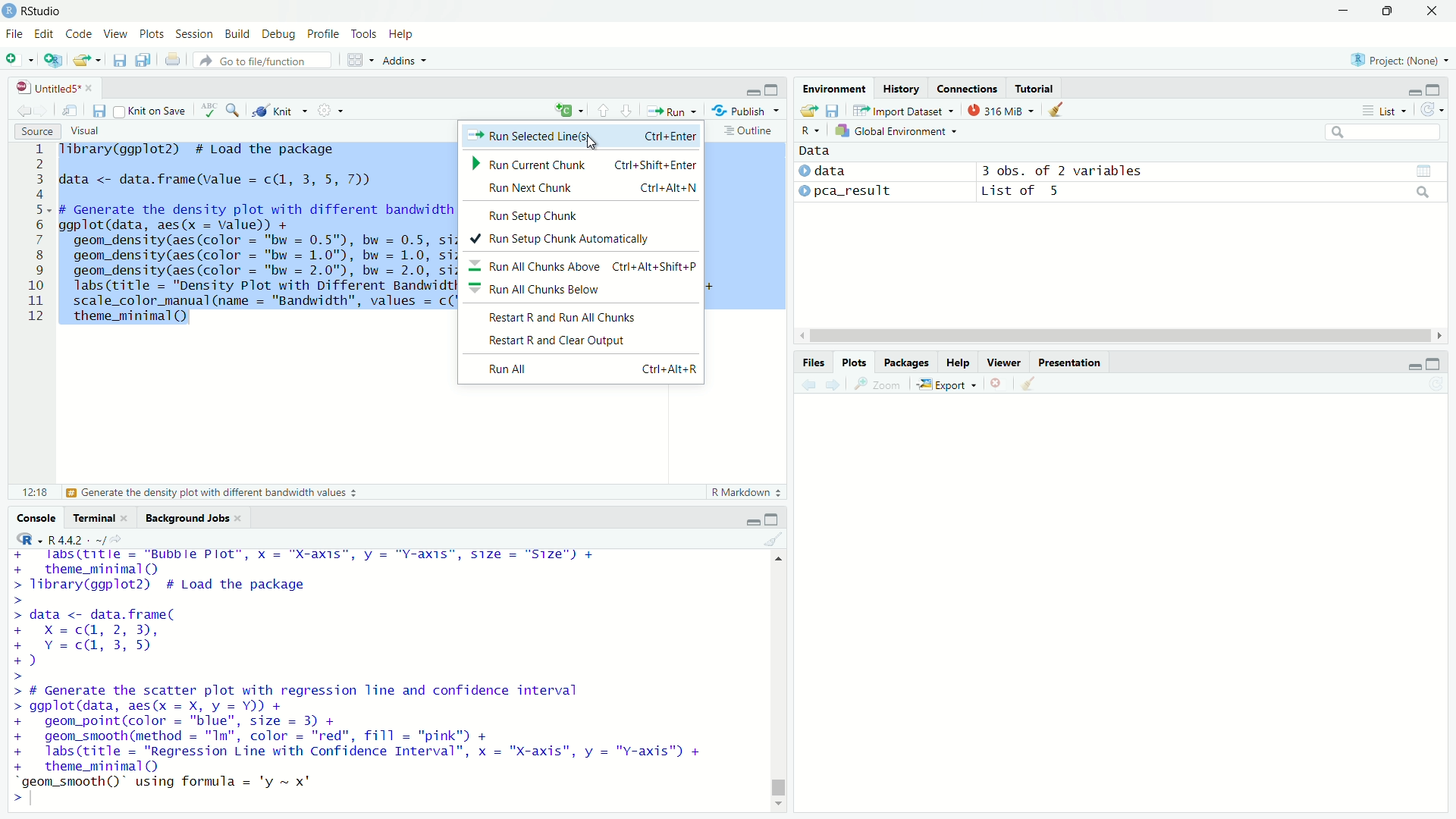  I want to click on Next plot, so click(832, 384).